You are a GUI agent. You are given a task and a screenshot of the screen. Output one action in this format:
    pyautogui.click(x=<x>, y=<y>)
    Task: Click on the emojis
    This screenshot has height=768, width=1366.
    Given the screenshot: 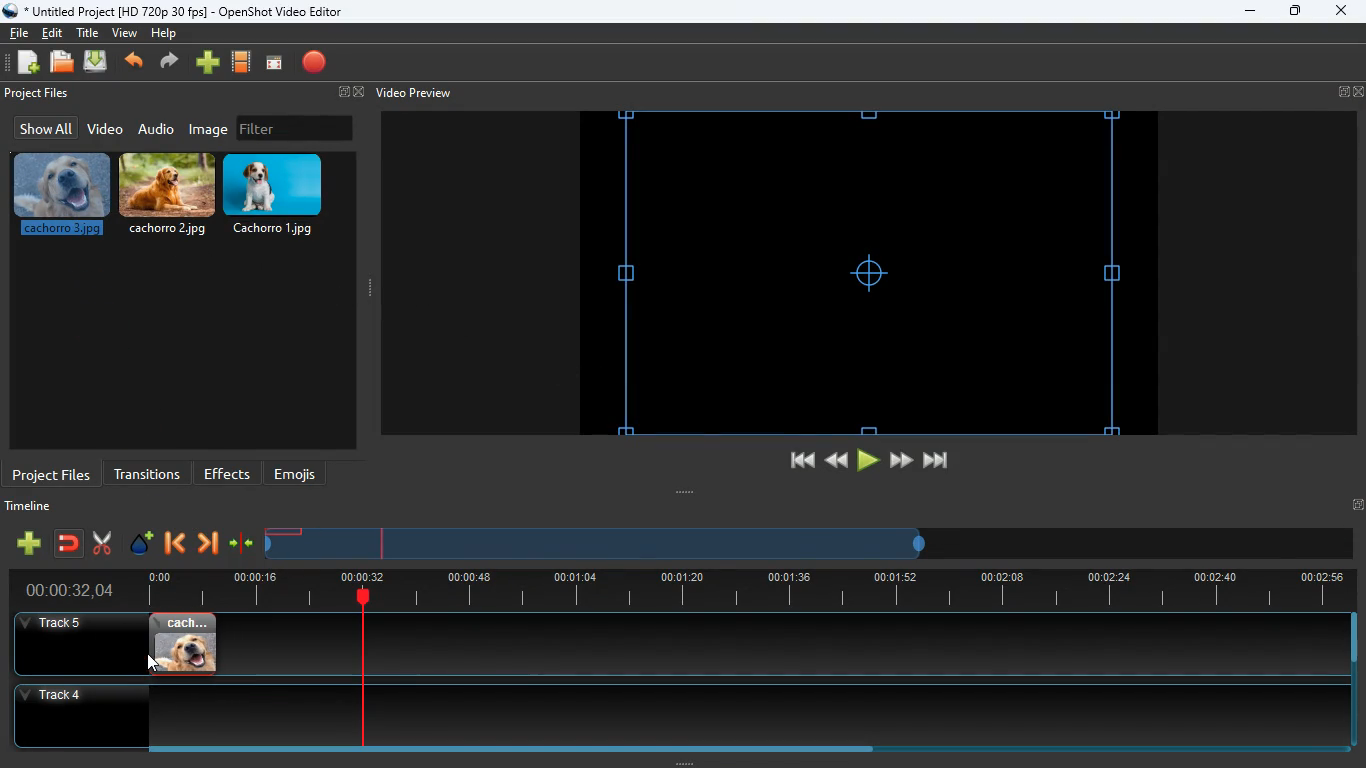 What is the action you would take?
    pyautogui.click(x=300, y=474)
    